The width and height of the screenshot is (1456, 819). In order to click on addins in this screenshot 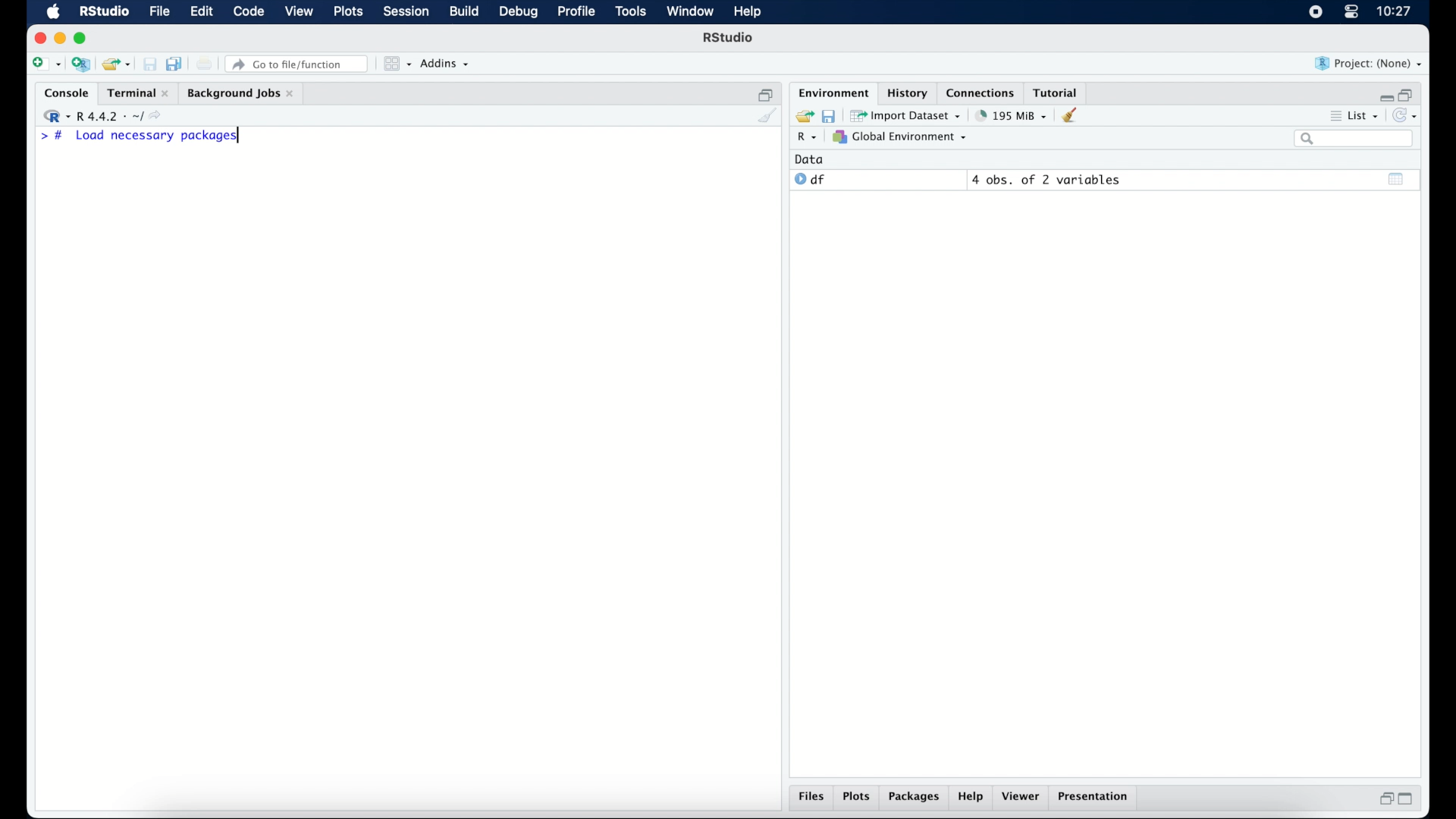, I will do `click(445, 64)`.